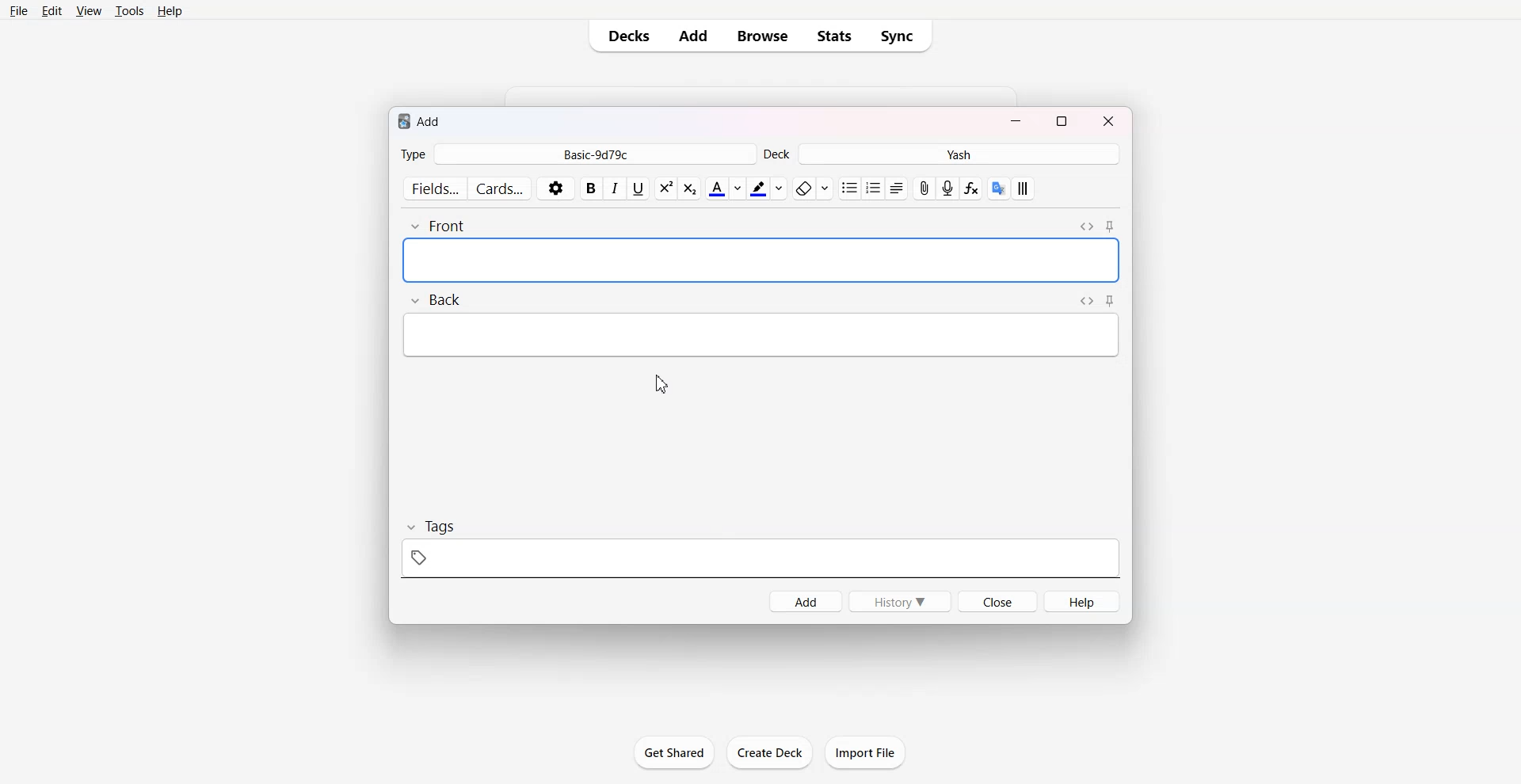  What do you see at coordinates (626, 36) in the screenshot?
I see `Decks` at bounding box center [626, 36].